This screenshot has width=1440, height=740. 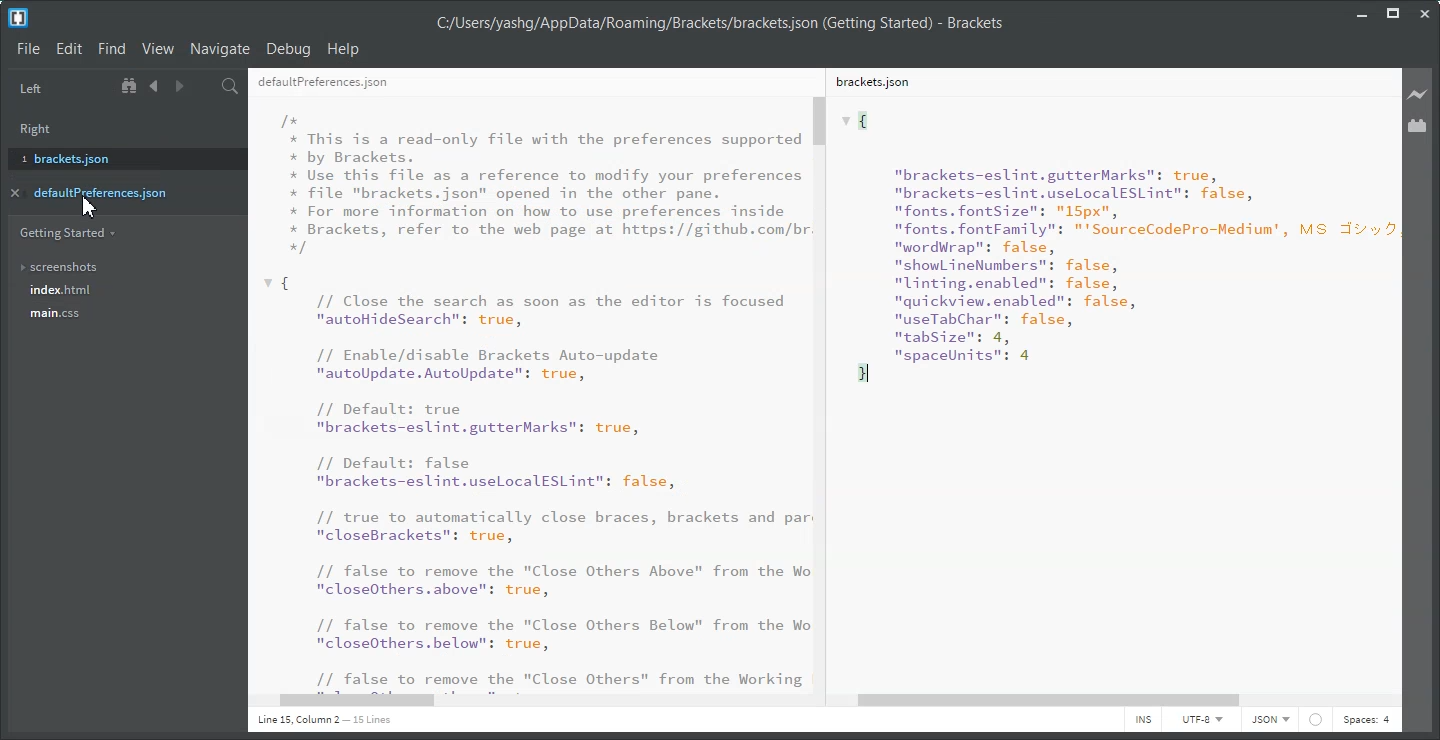 I want to click on View, so click(x=157, y=49).